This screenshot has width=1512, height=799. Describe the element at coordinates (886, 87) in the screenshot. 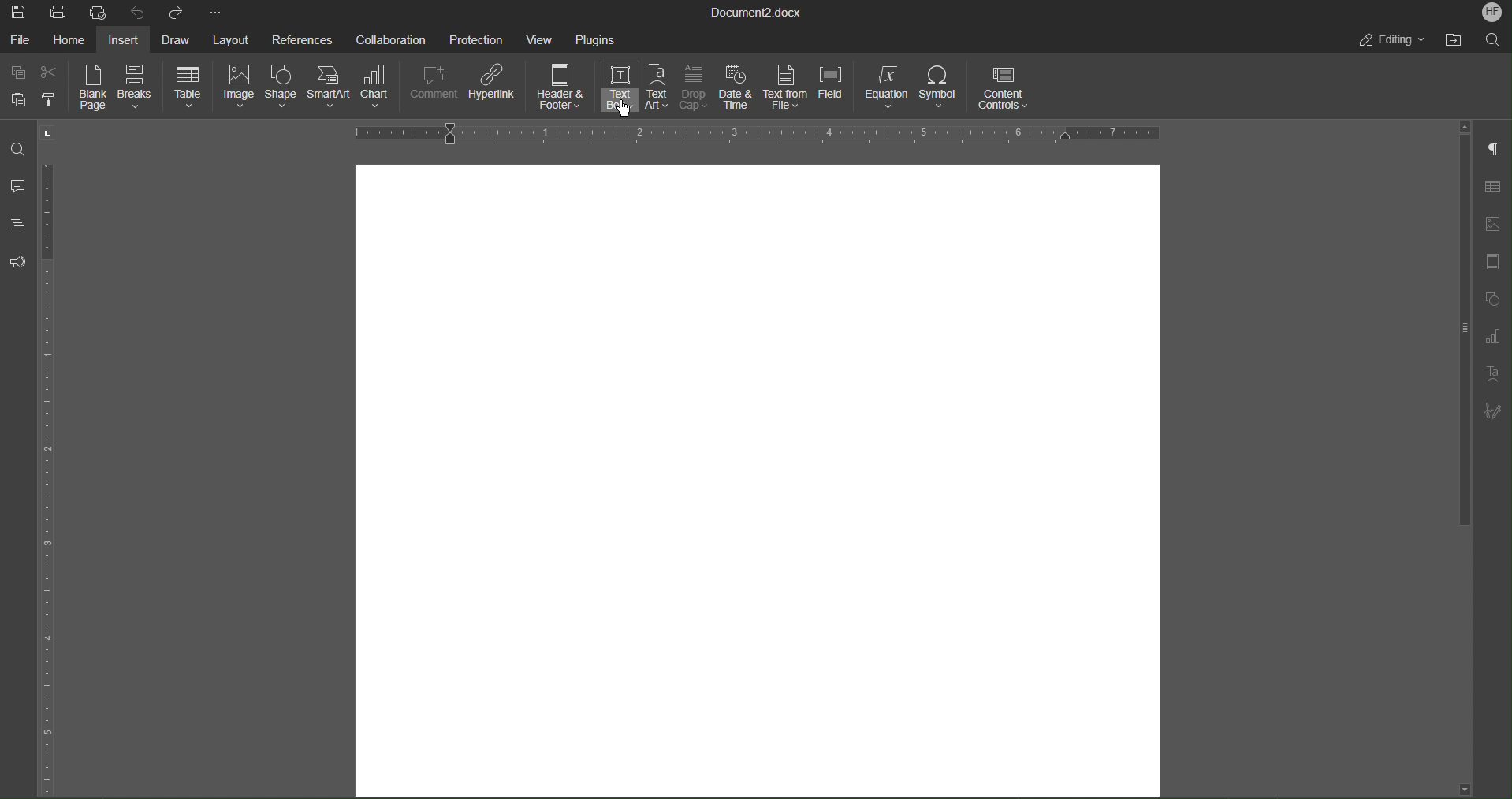

I see `Equation` at that location.